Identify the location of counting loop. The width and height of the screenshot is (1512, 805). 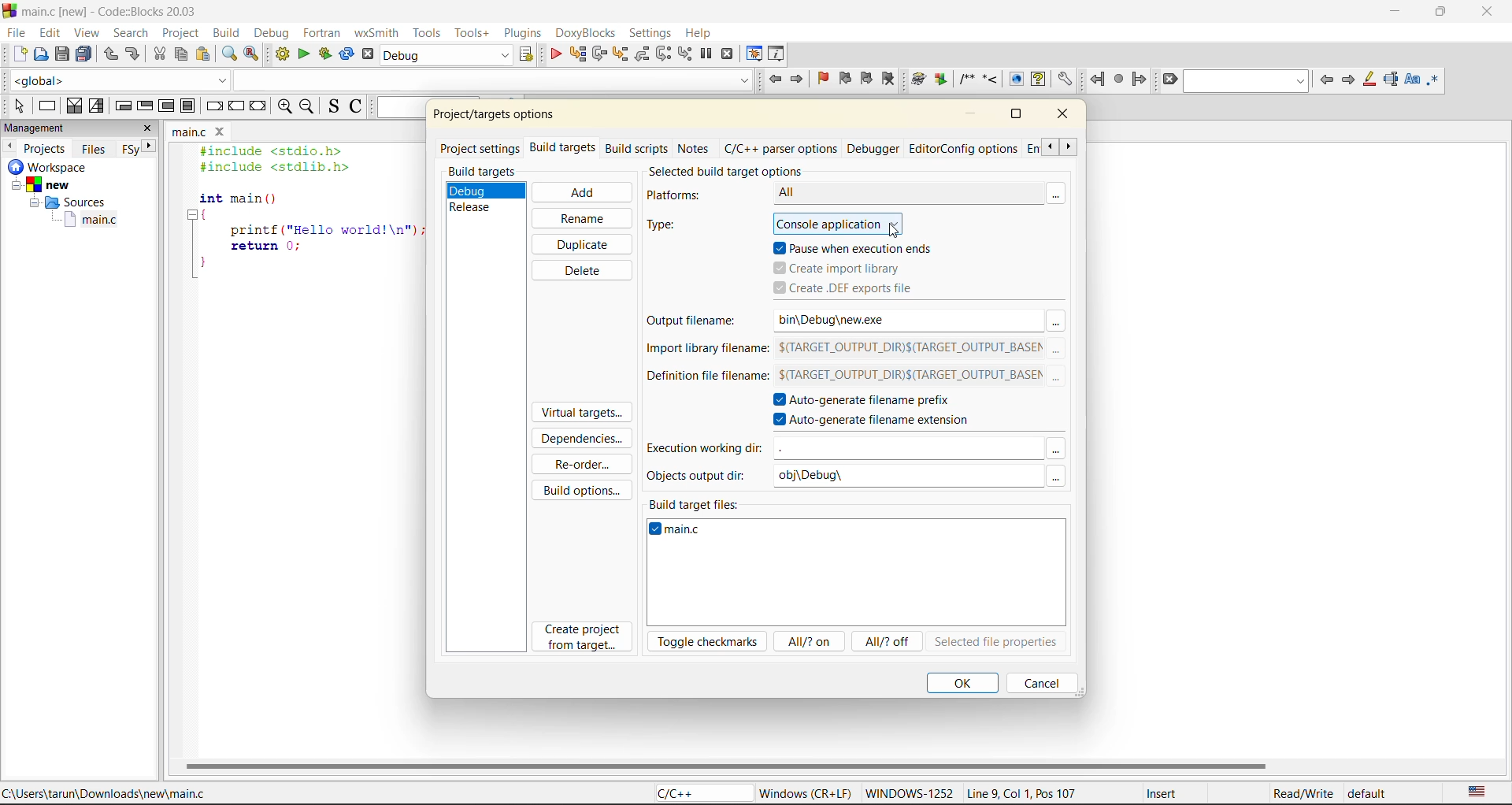
(168, 106).